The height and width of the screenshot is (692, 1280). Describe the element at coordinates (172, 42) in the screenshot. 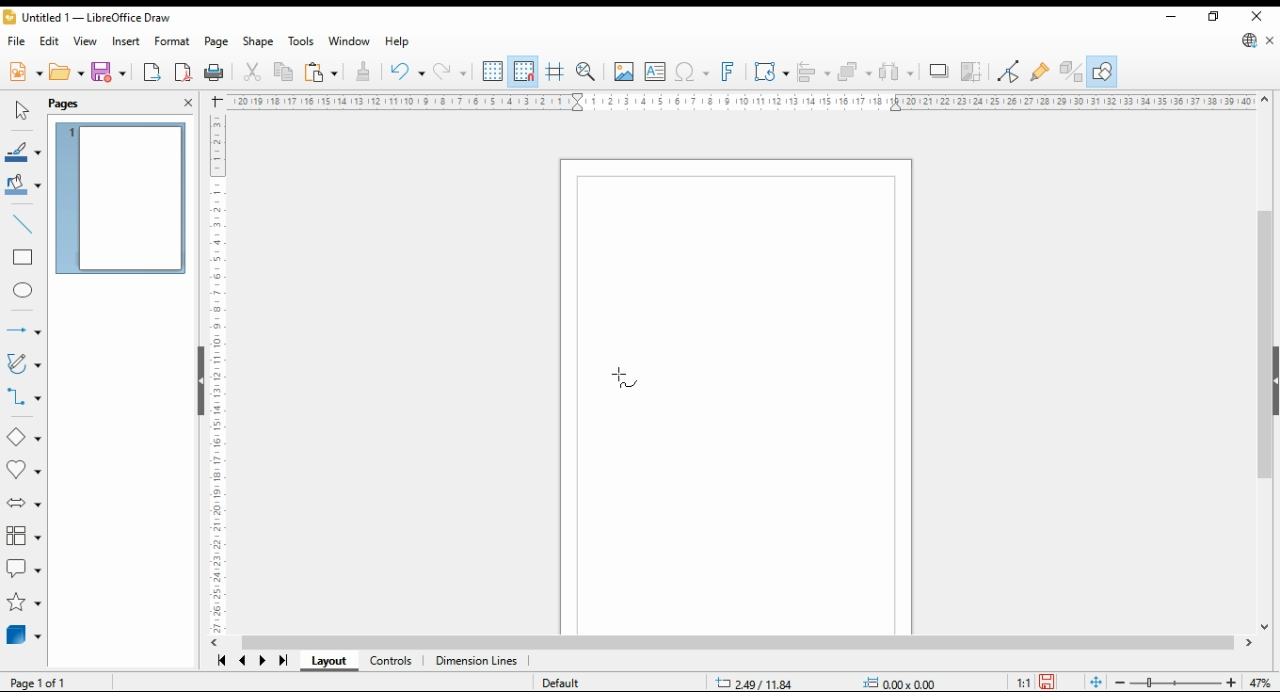

I see `format` at that location.